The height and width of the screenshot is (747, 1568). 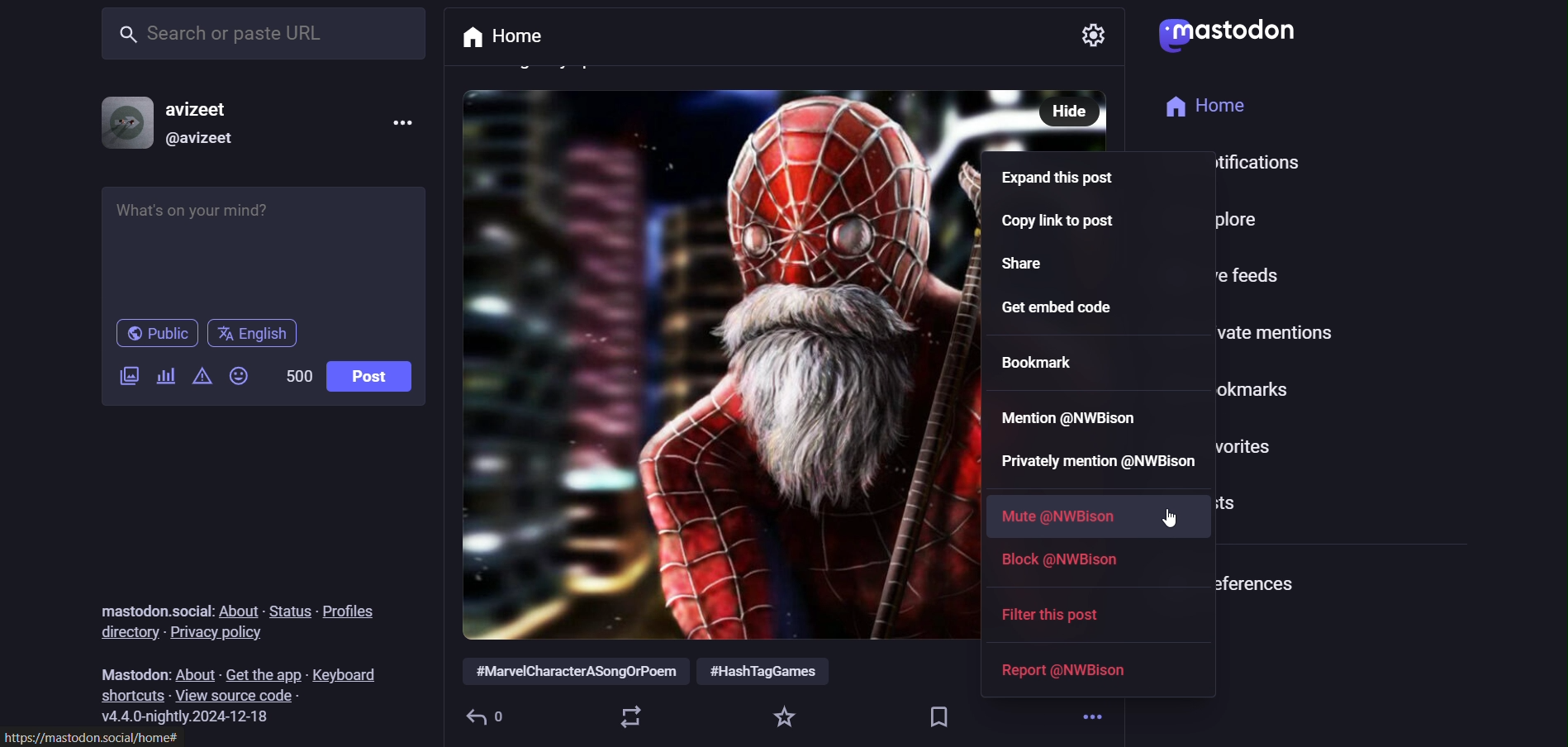 I want to click on shortcuts, so click(x=133, y=695).